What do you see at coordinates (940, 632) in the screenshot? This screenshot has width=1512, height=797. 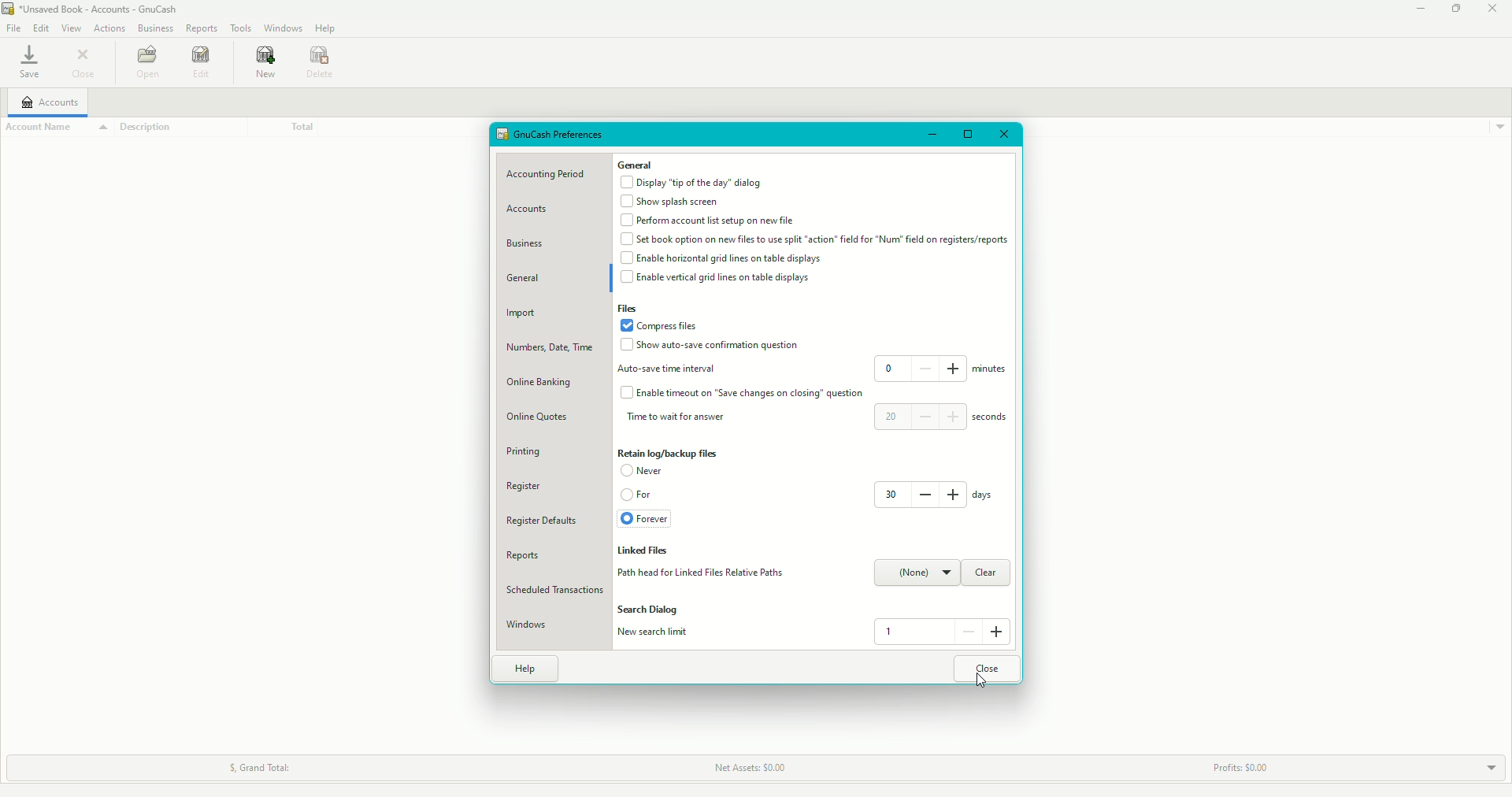 I see `1` at bounding box center [940, 632].